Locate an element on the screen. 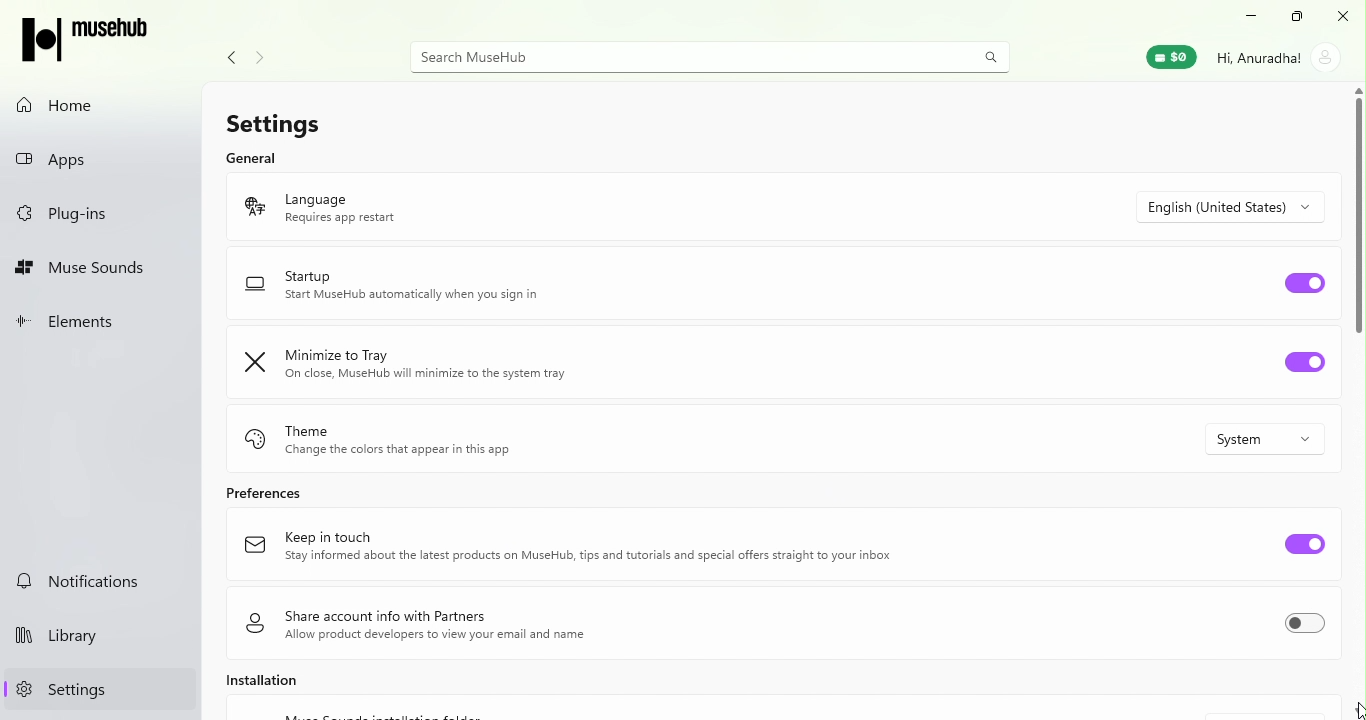 The width and height of the screenshot is (1366, 720). scroll up is located at coordinates (1357, 89).